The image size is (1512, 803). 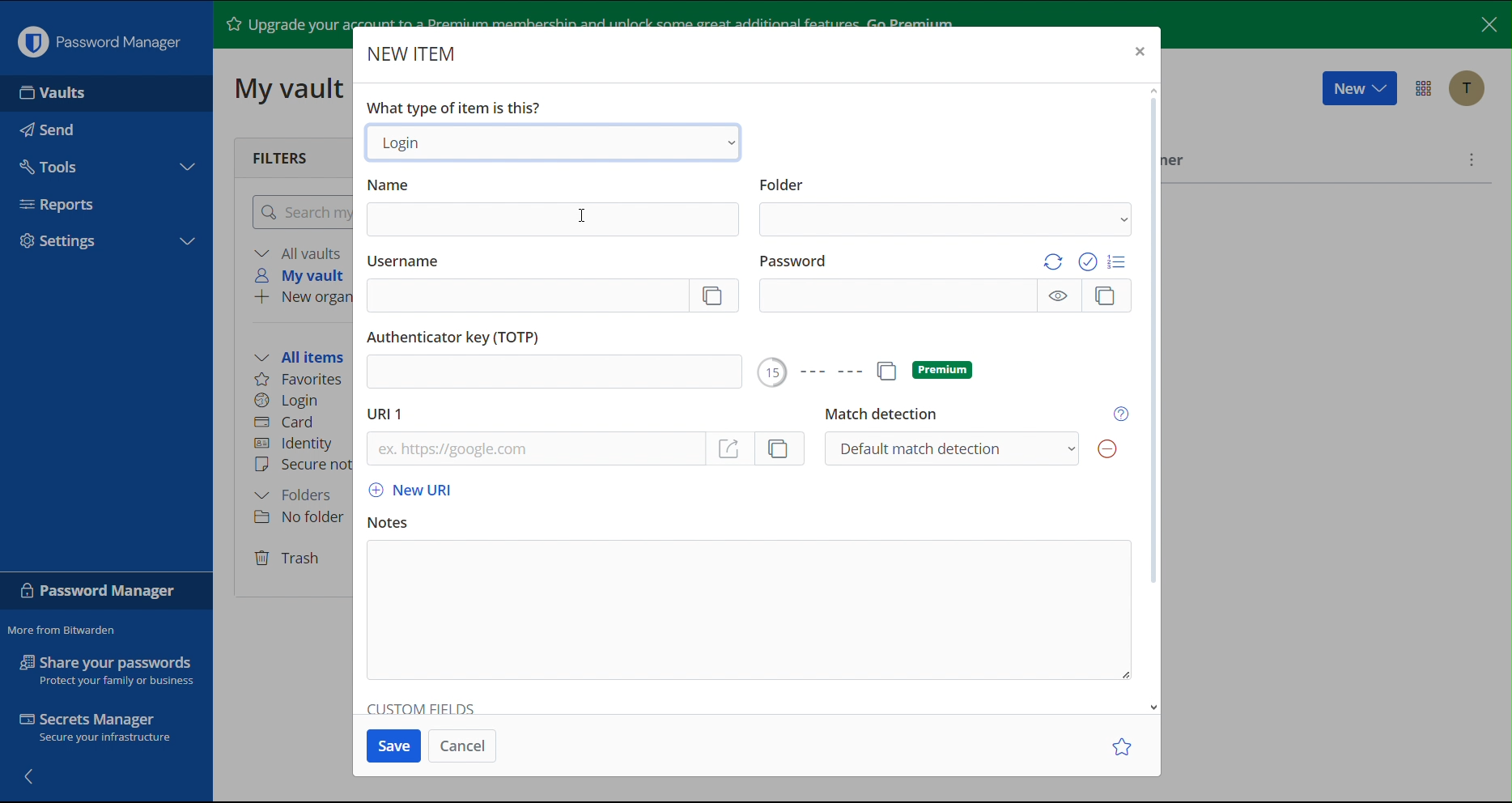 What do you see at coordinates (302, 276) in the screenshot?
I see `My vault` at bounding box center [302, 276].